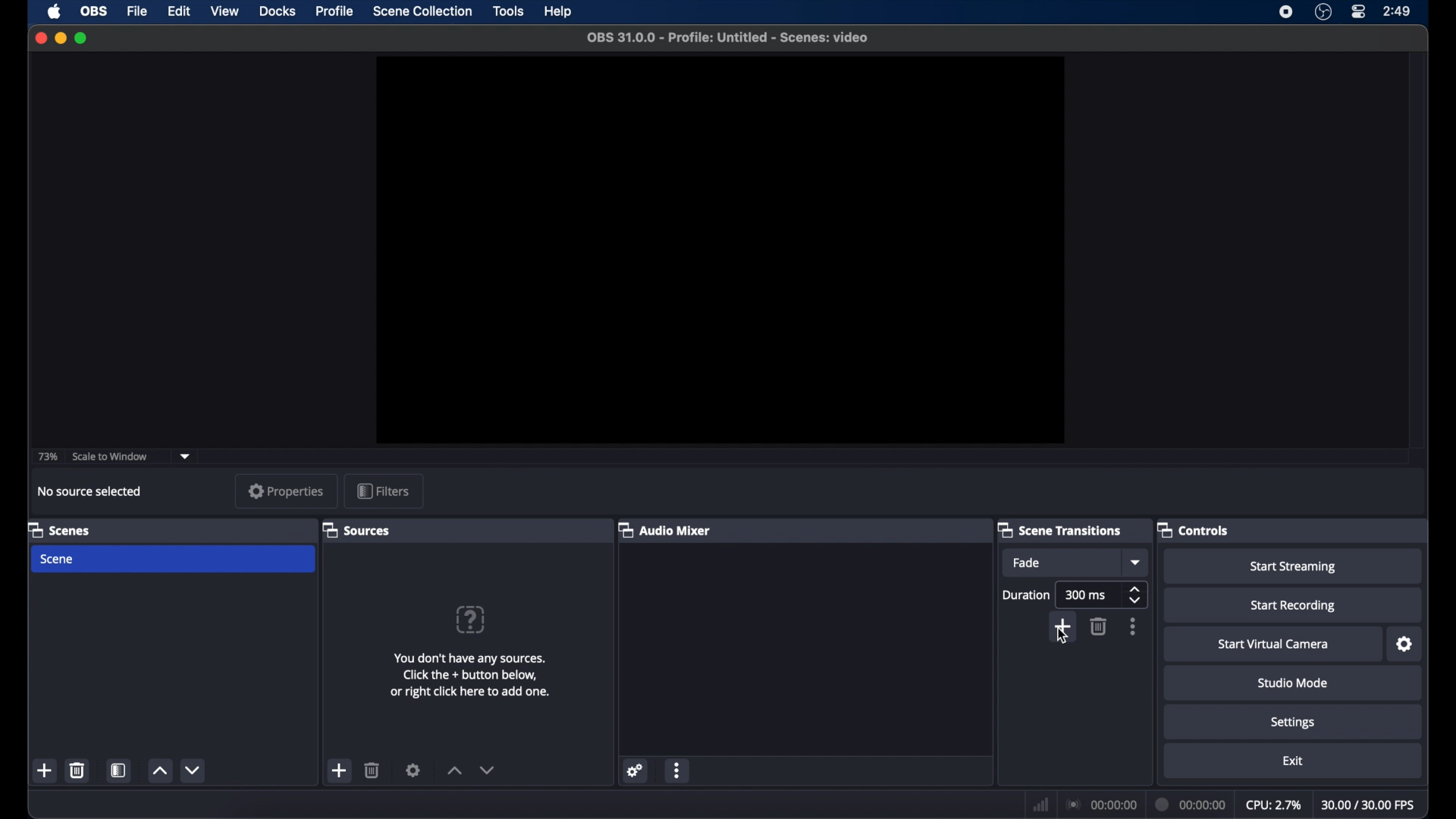 This screenshot has height=819, width=1456. Describe the element at coordinates (1370, 805) in the screenshot. I see `fps` at that location.